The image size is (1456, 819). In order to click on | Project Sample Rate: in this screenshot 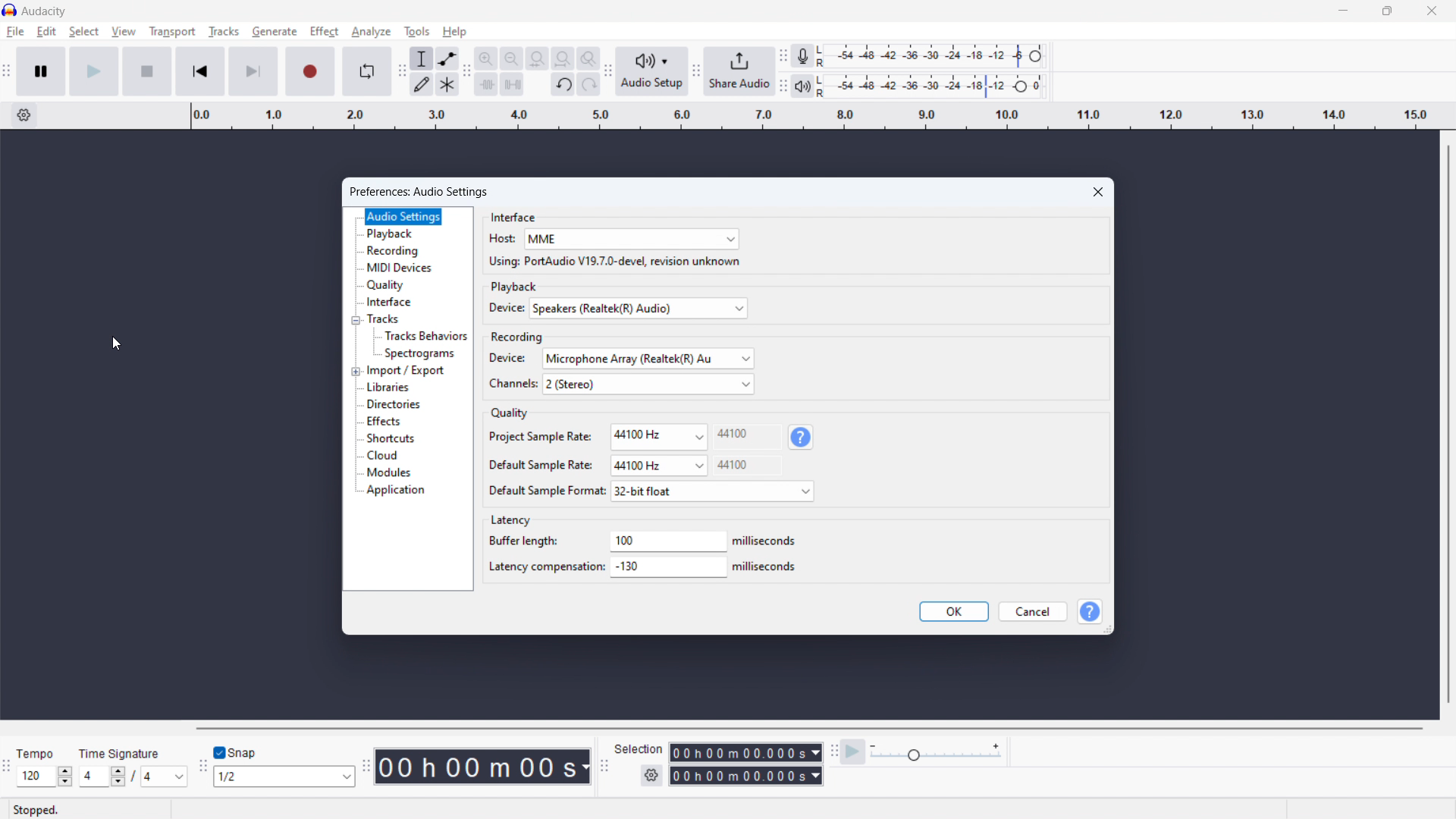, I will do `click(541, 438)`.